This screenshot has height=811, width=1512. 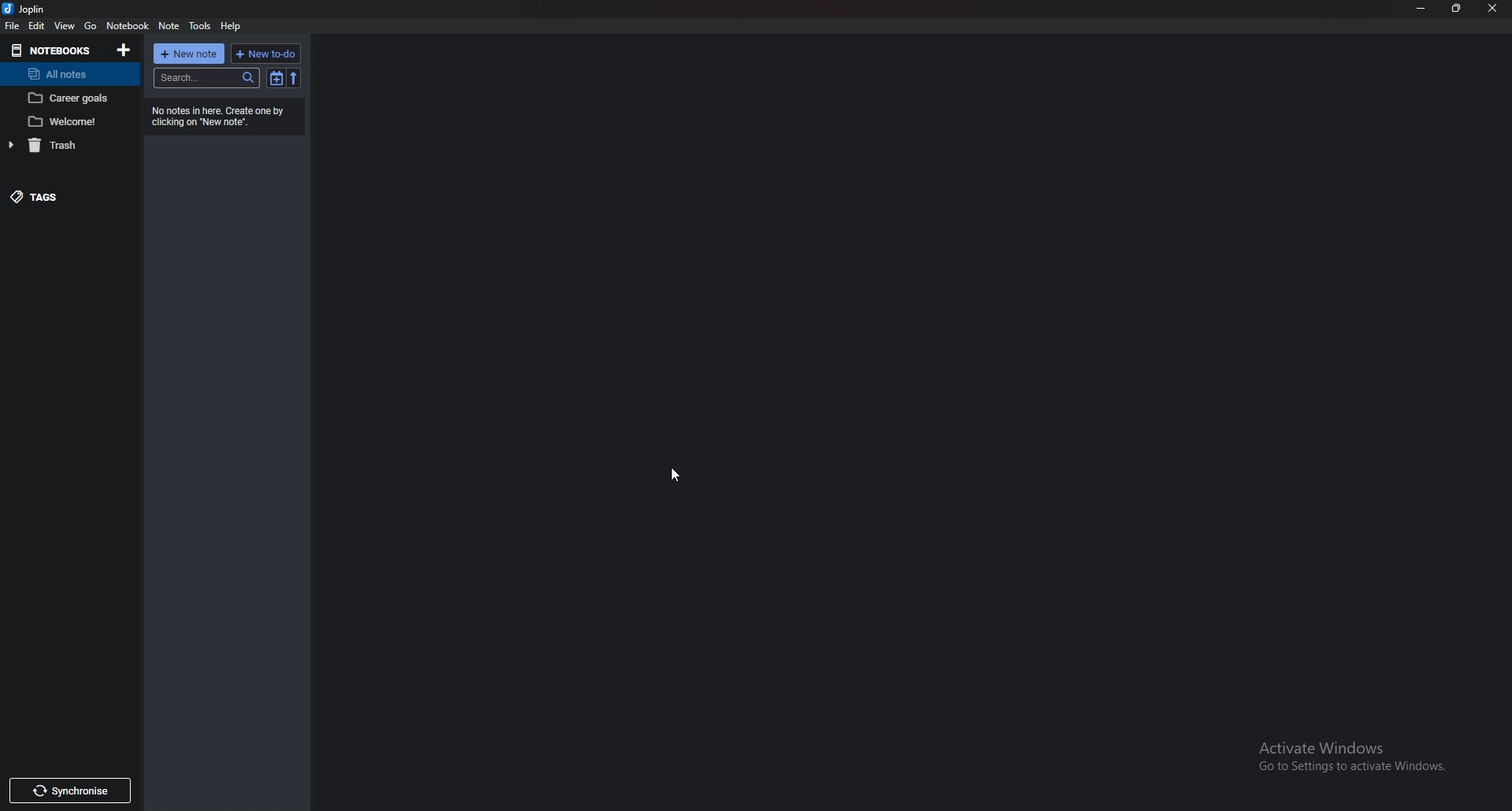 What do you see at coordinates (60, 197) in the screenshot?
I see `tags` at bounding box center [60, 197].